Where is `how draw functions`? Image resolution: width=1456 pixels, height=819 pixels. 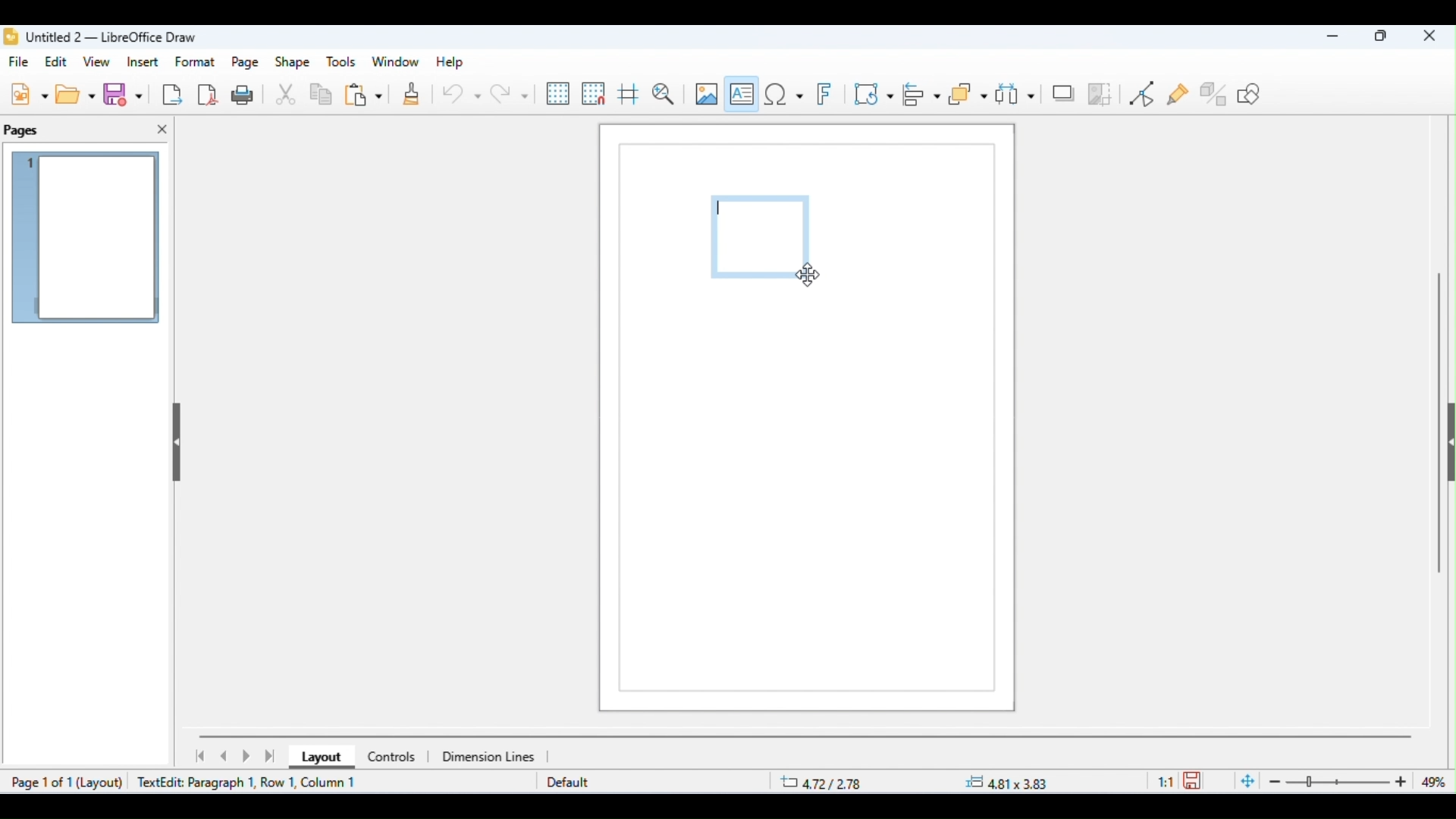 how draw functions is located at coordinates (1250, 93).